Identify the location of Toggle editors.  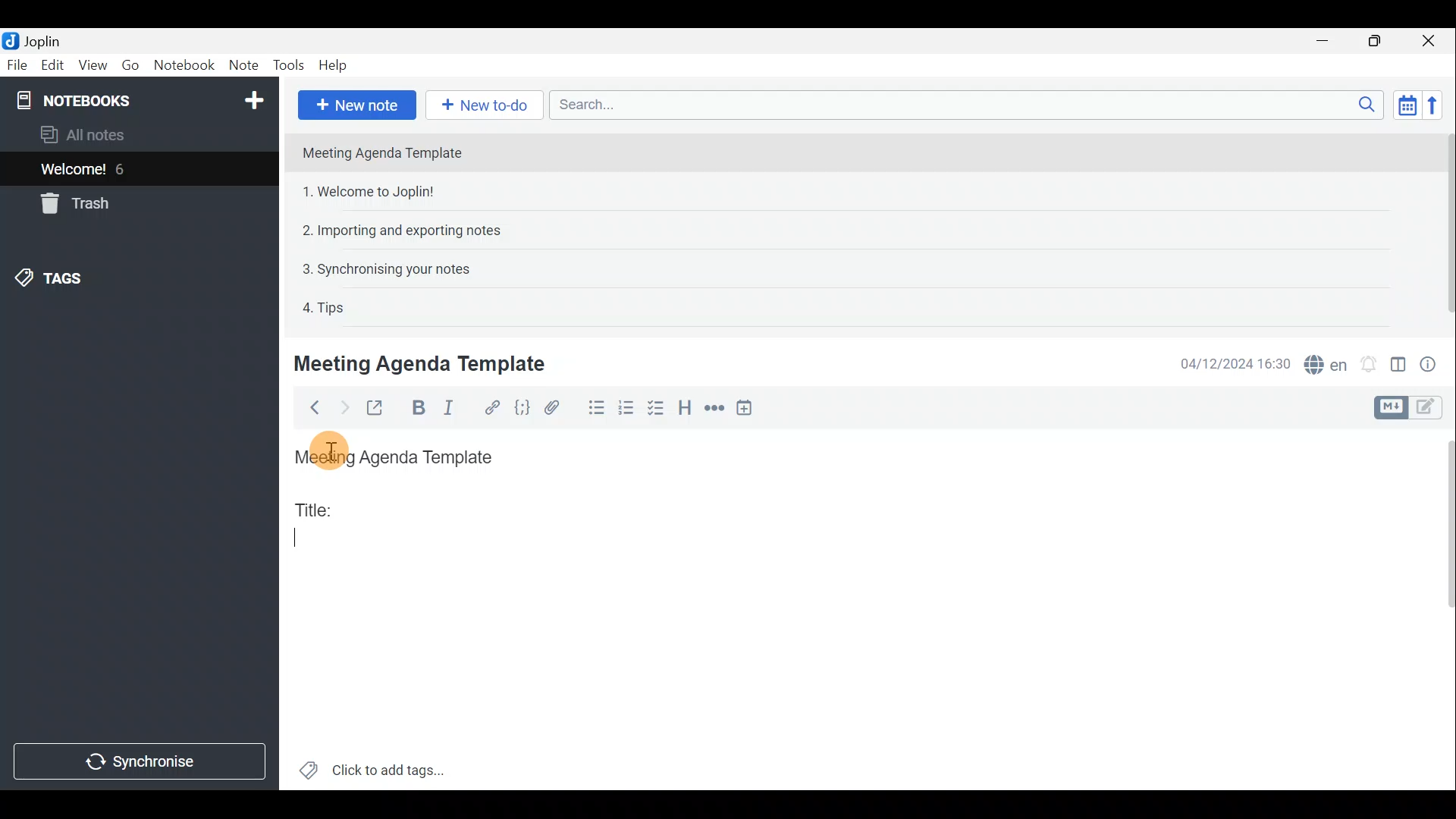
(1429, 409).